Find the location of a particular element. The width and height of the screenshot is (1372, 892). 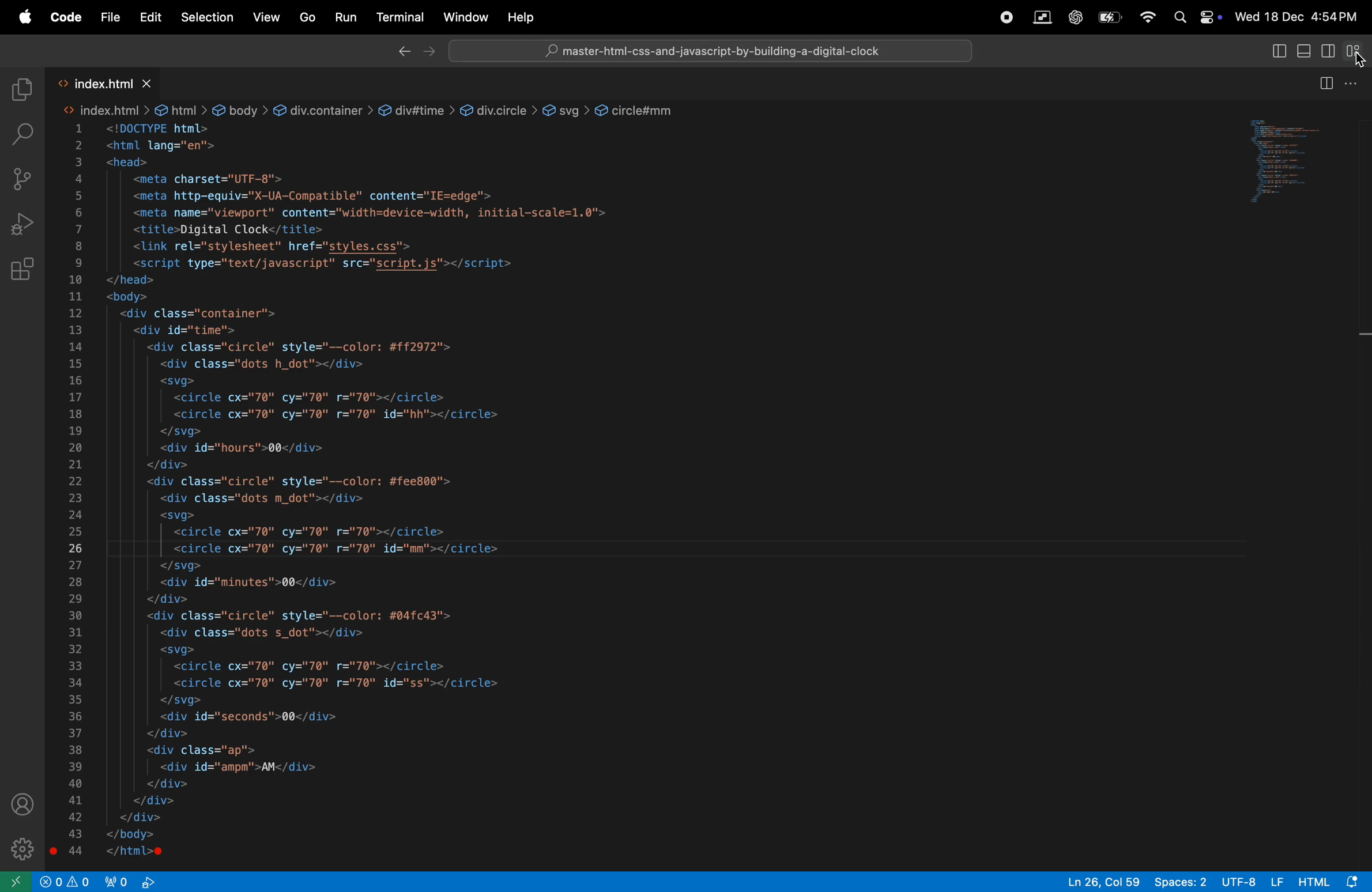

<!DOCTYPE html><html lang="en"><head><meta charset="UTF-8"><meta http-equiv="X-UA-Compatible" content="IE=edge'><meta name="viewport" content="width=device-width, initial-scale=1.0"><title>Digital Clock</title><link rel="stylesheet" href="styles.css"><script type="text/javascript" src="script.js"></script></head><body><div class="container"><div id="time"><div class="circle" style="--color: #ff2972"><div class="dots h_dot"></div><svg><circle cx="70" cy="70" r="70"></circle><circle cx="70" cy="70" r="70" id="hh"></circle></svg><div id="hours">00</div></div><div class="circle" style="--color: #fee800"><div class="dots m_dot"></div><svg><circle cx="70" cy="70" r="70"></circle><circle cx="70" cy="70" r="70" id="mm"></circle></svg><div id="minutes">00</div></div><div class="circle" style="--color: #04fc43"><div class="dots s_dot"></div><svg><circle cx="70" cy="70" r="70"></circle><circle cx="70" cy="70" r="70" id="ss"></circle></svg><div id="seconds">00</div></div><div class="ap"><div id="ampm">AM</div></div></div></div></body></html> is located at coordinates (434, 494).